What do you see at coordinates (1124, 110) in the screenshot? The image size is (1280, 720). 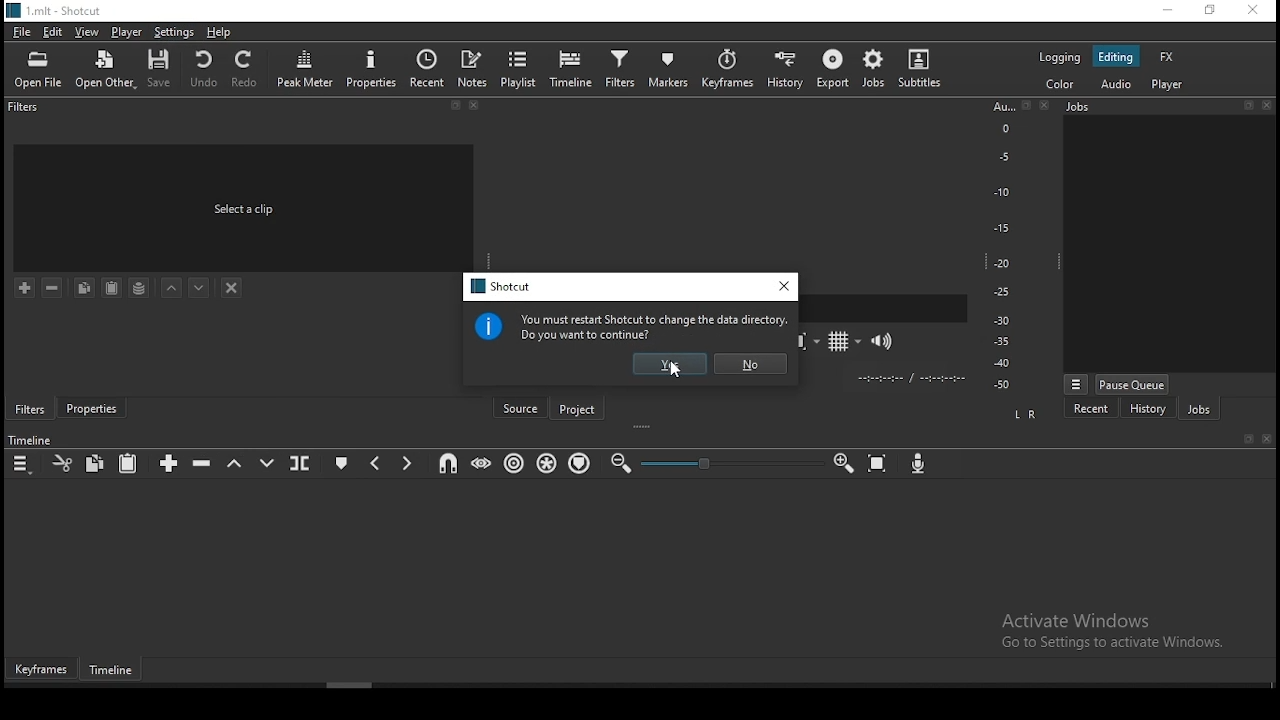 I see `Jobs` at bounding box center [1124, 110].